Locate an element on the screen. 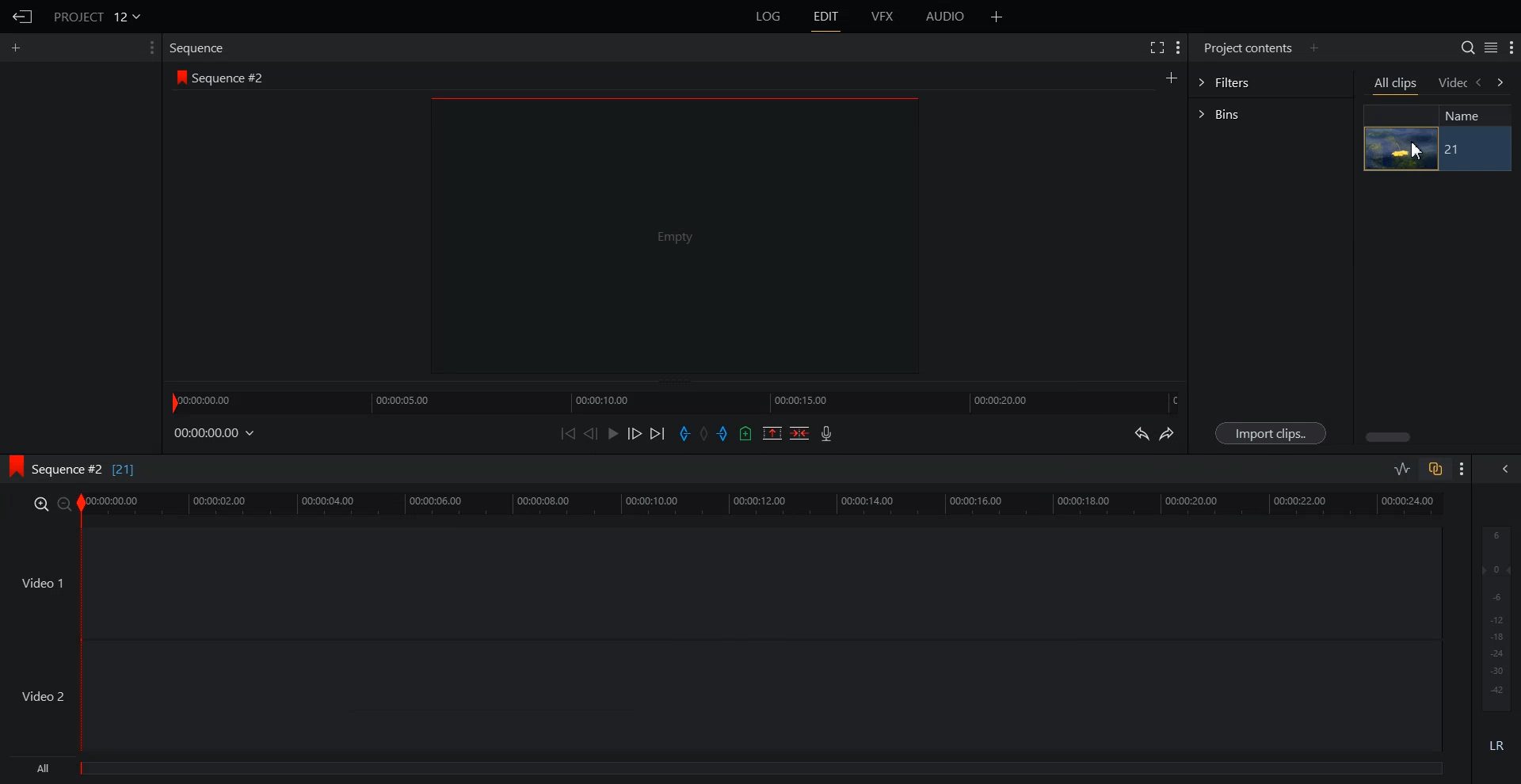  Video 1 is located at coordinates (723, 585).